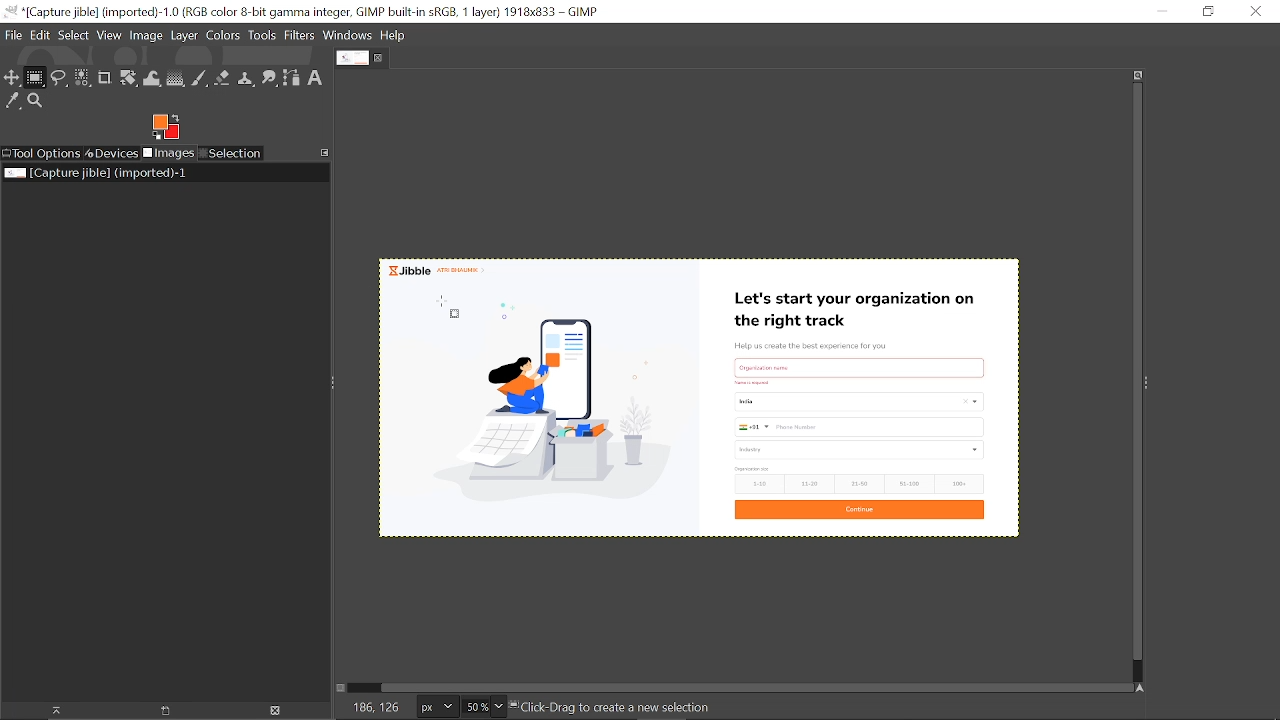 This screenshot has width=1280, height=720. I want to click on Close tab, so click(381, 58).